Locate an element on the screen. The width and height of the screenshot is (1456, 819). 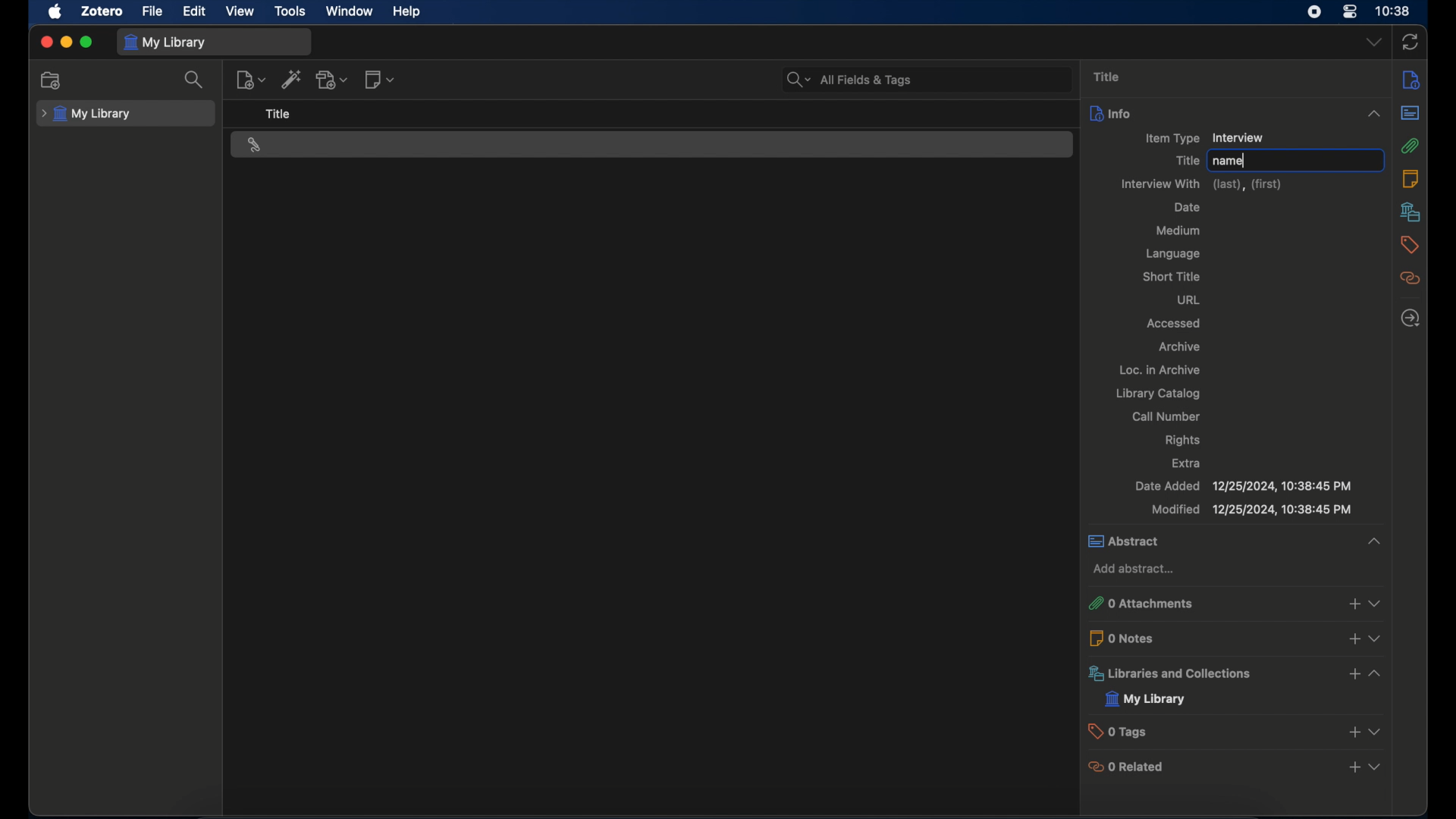
info is located at coordinates (1411, 80).